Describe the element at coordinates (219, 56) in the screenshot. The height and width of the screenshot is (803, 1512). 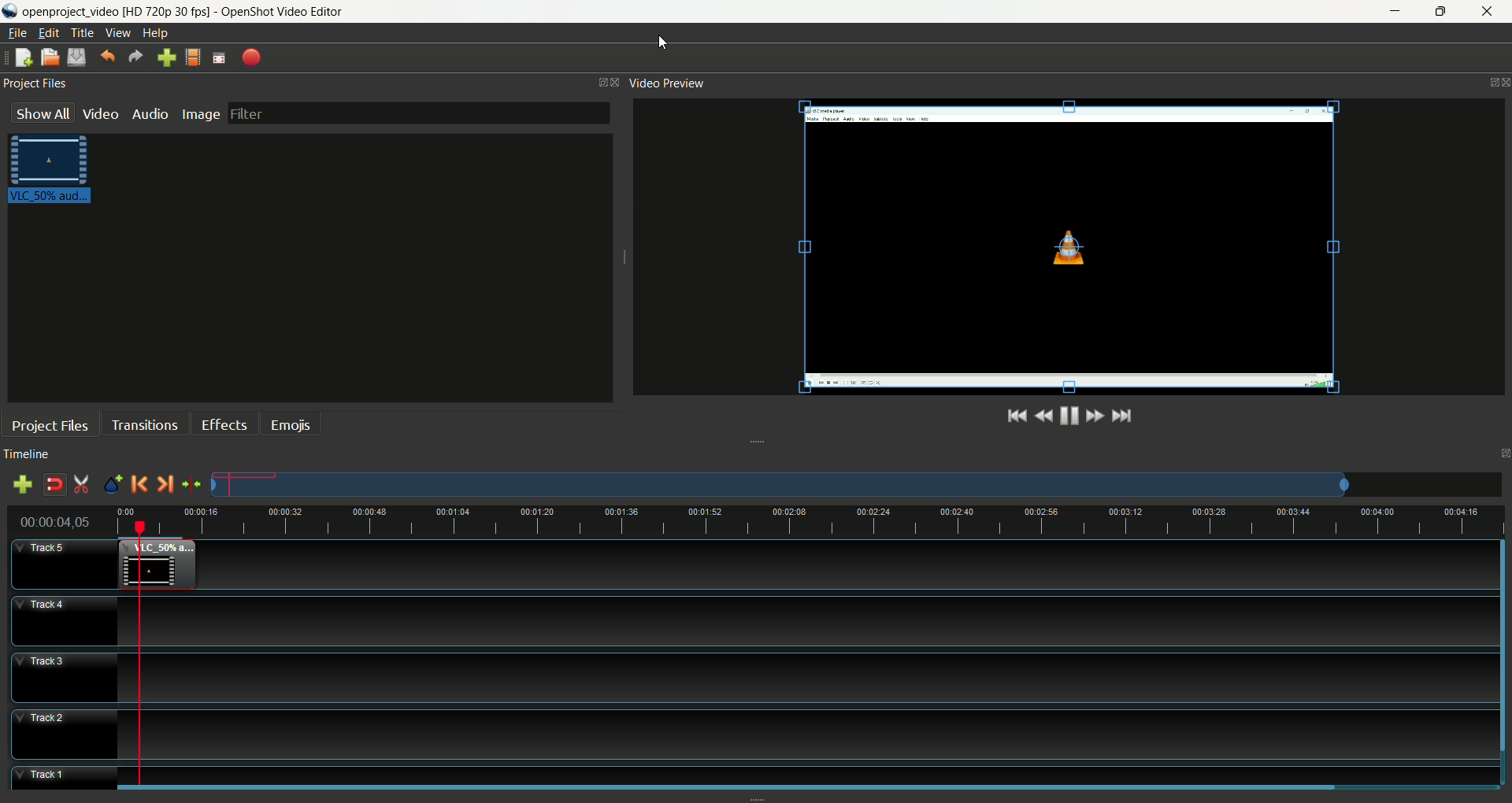
I see `fullscreen` at that location.